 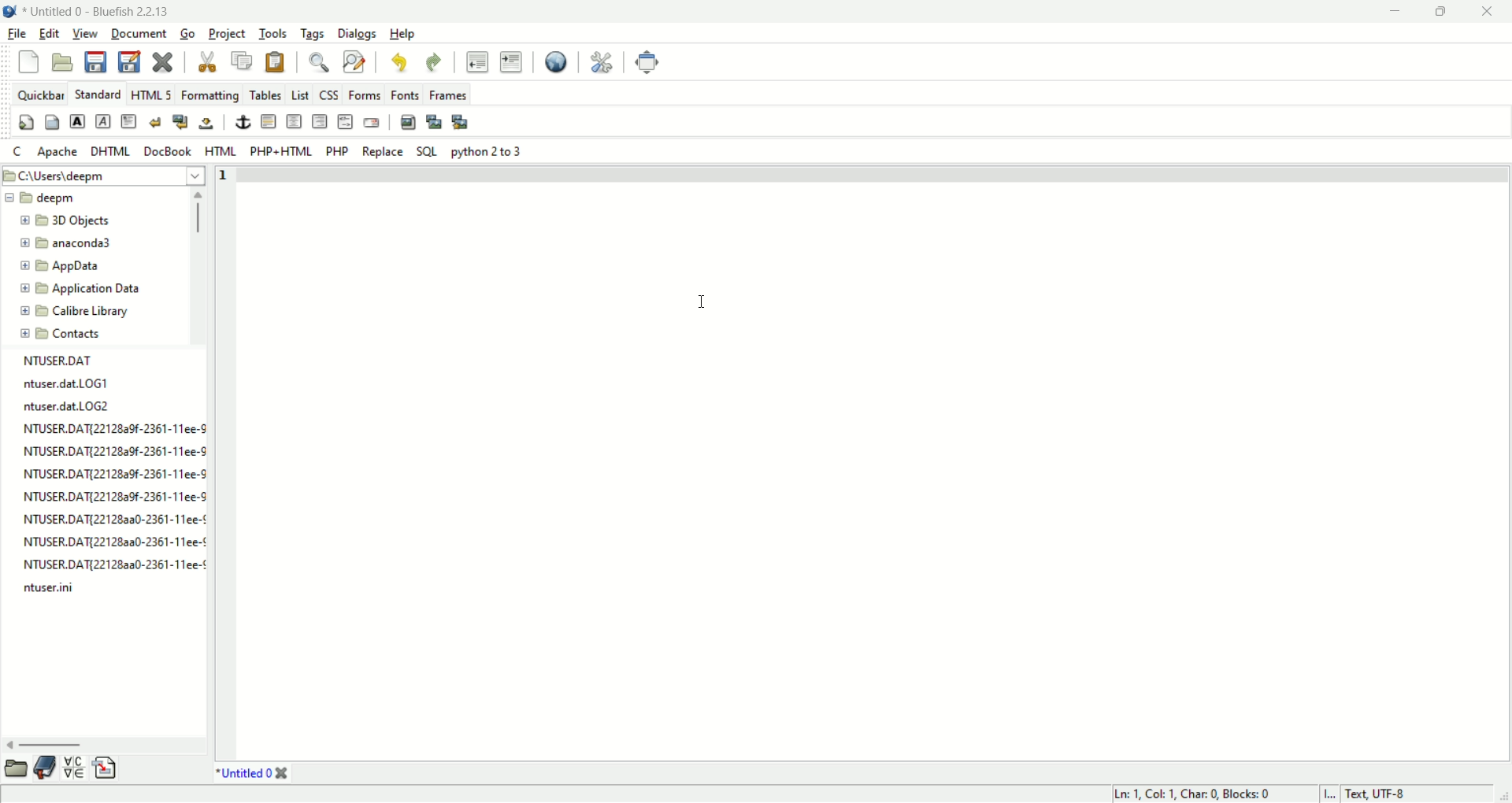 I want to click on NTUSER.DAT{22128aa0-2361-11ee-¢, so click(x=113, y=541).